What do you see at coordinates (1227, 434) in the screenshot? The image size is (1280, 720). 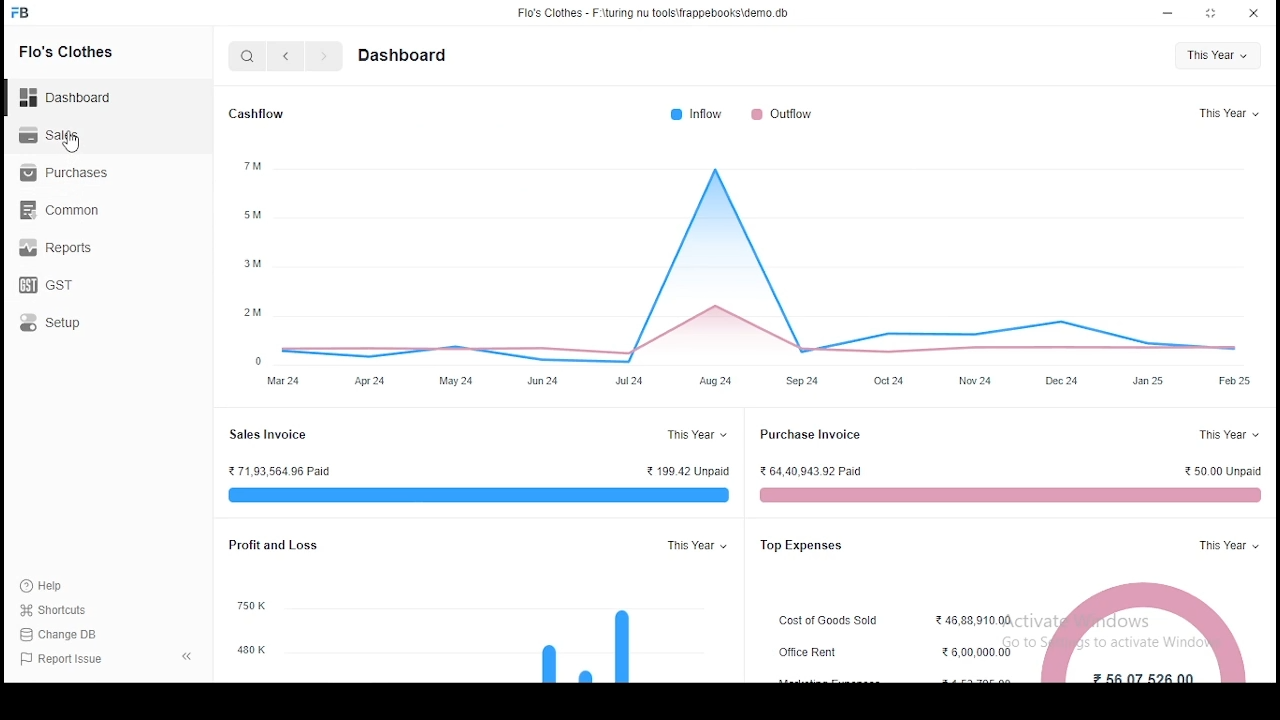 I see `this year` at bounding box center [1227, 434].